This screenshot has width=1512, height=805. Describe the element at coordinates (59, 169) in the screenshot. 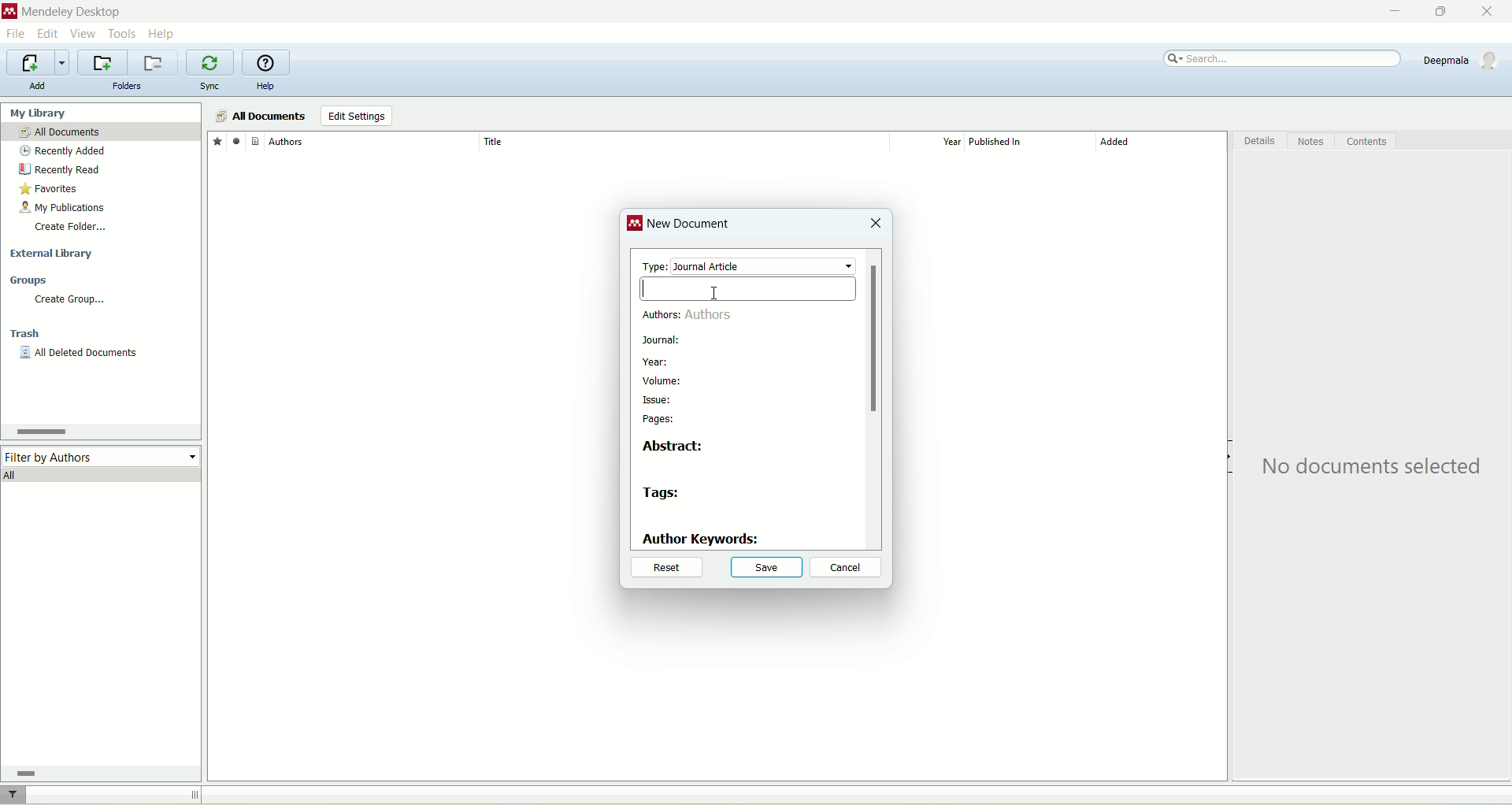

I see `recently read` at that location.